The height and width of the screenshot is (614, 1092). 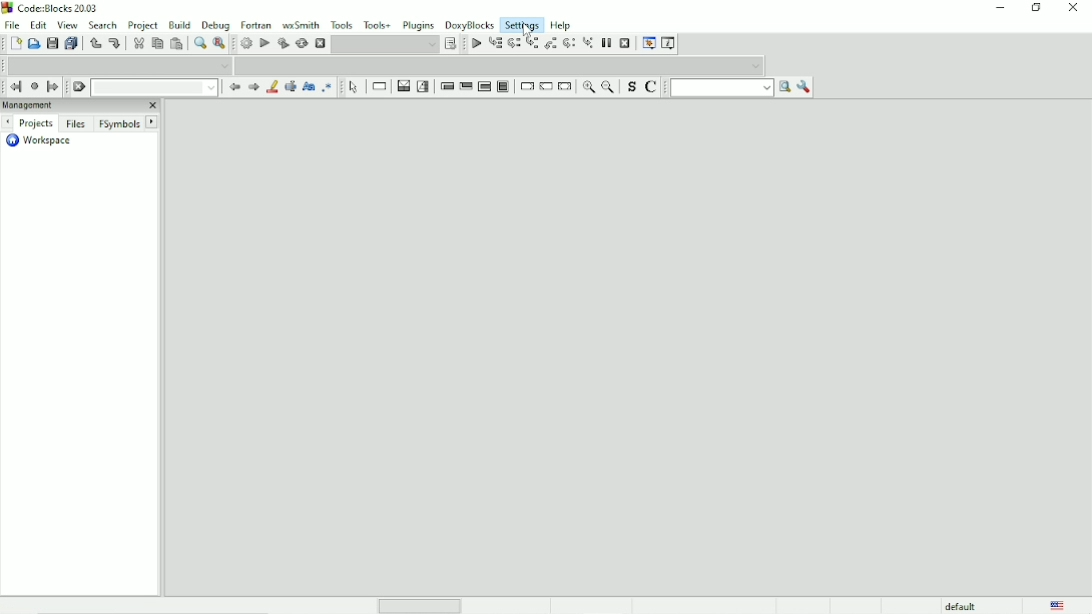 I want to click on Help, so click(x=562, y=26).